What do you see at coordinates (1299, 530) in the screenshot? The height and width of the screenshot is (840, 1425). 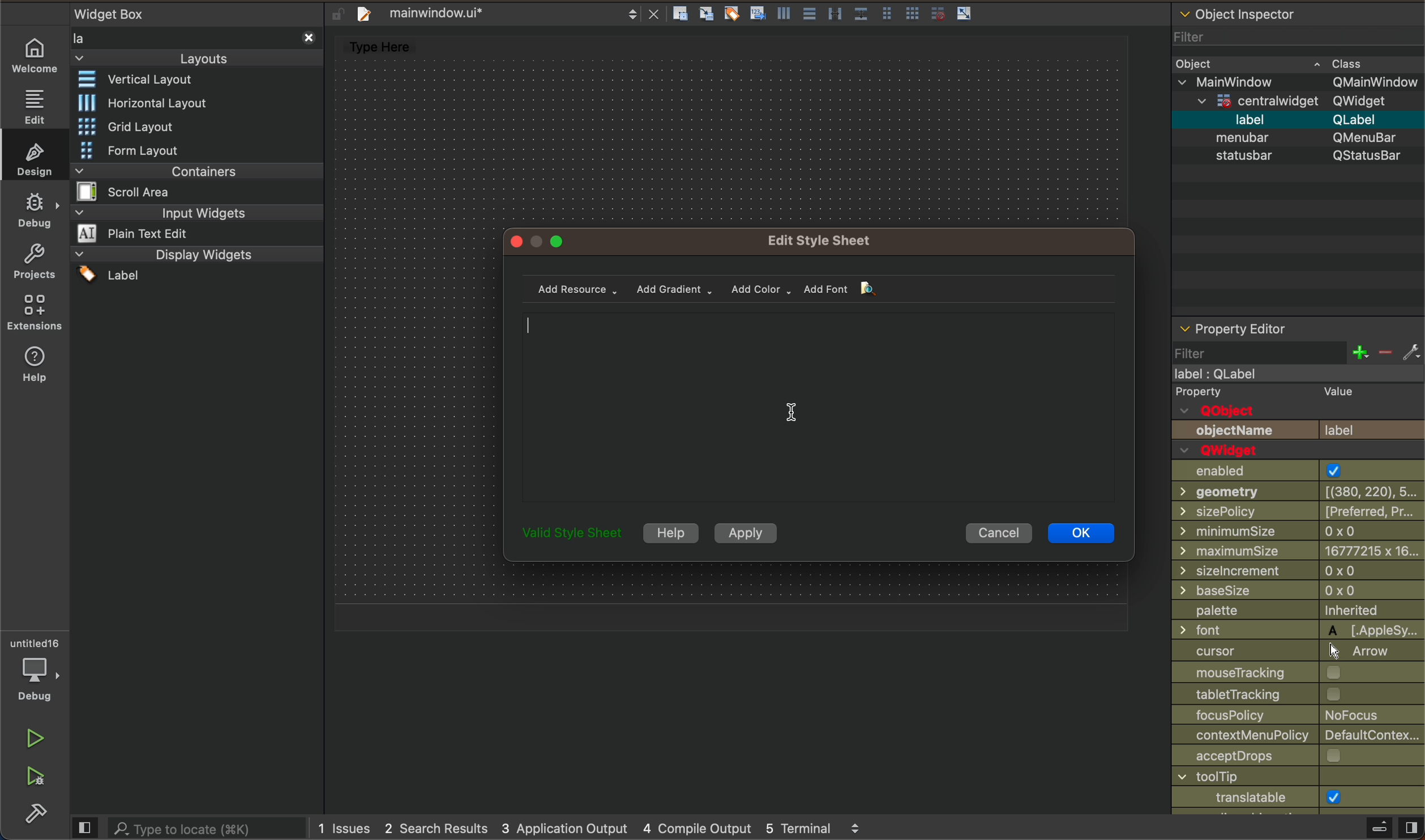 I see `min size` at bounding box center [1299, 530].